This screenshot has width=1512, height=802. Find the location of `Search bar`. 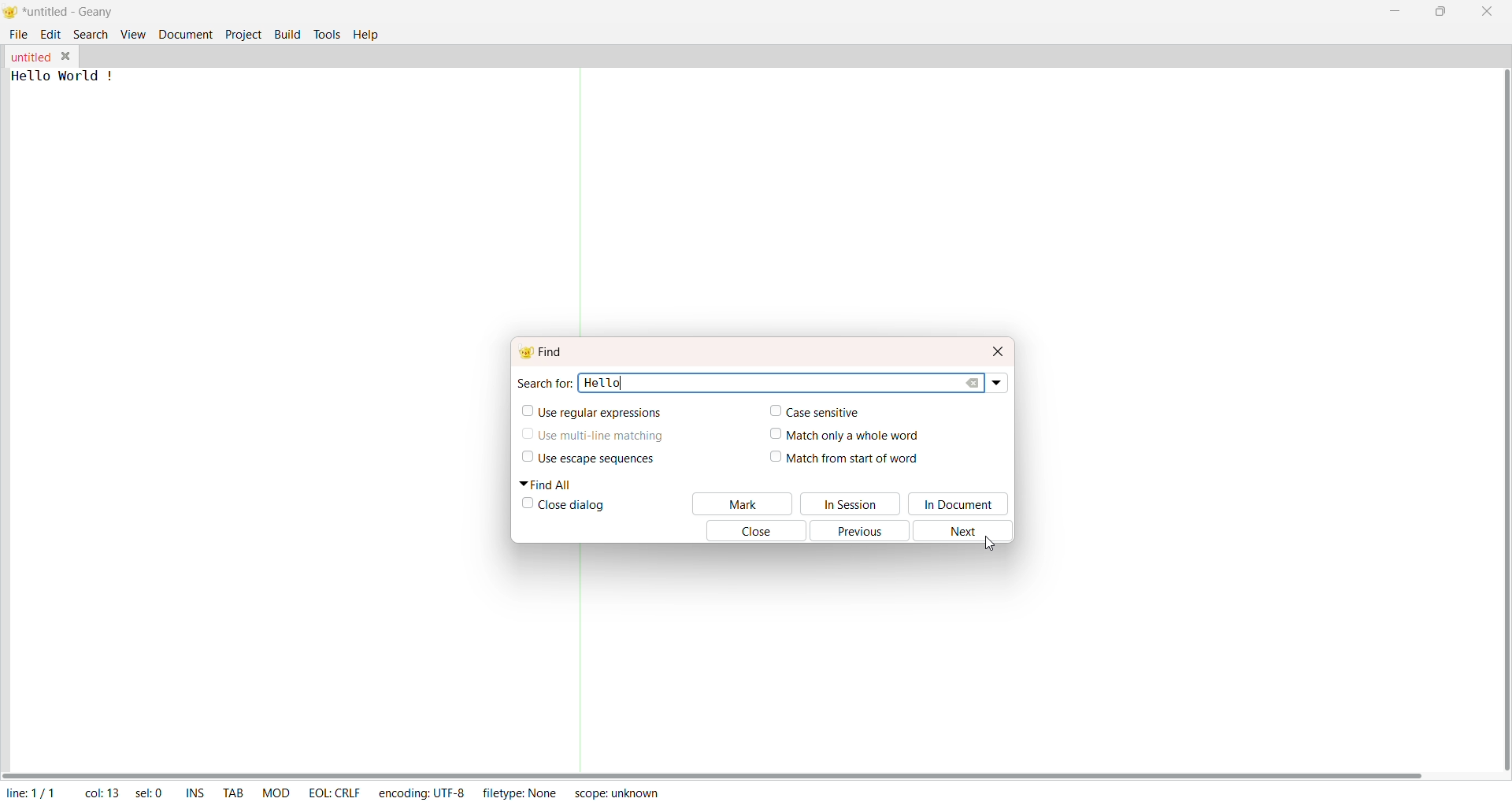

Search bar is located at coordinates (806, 382).